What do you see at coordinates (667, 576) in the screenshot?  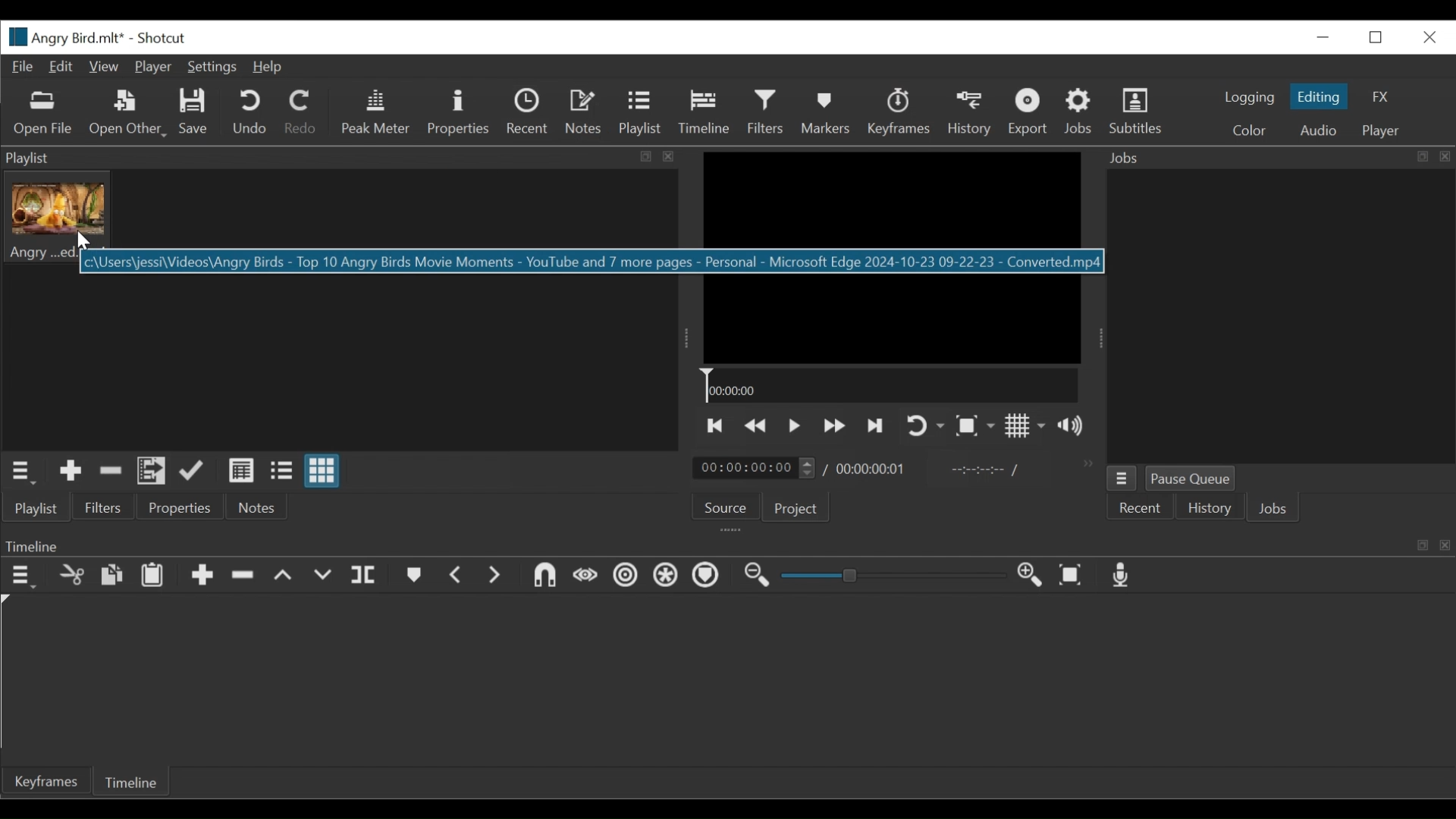 I see `Ripple all tracks` at bounding box center [667, 576].